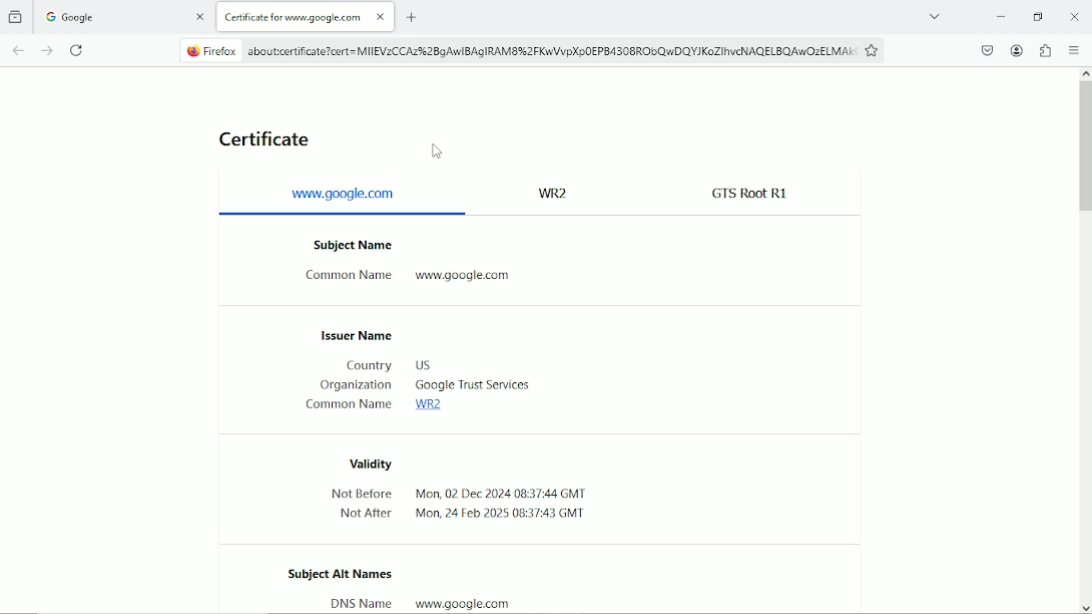 The height and width of the screenshot is (614, 1092). What do you see at coordinates (988, 50) in the screenshot?
I see `save to pocket` at bounding box center [988, 50].